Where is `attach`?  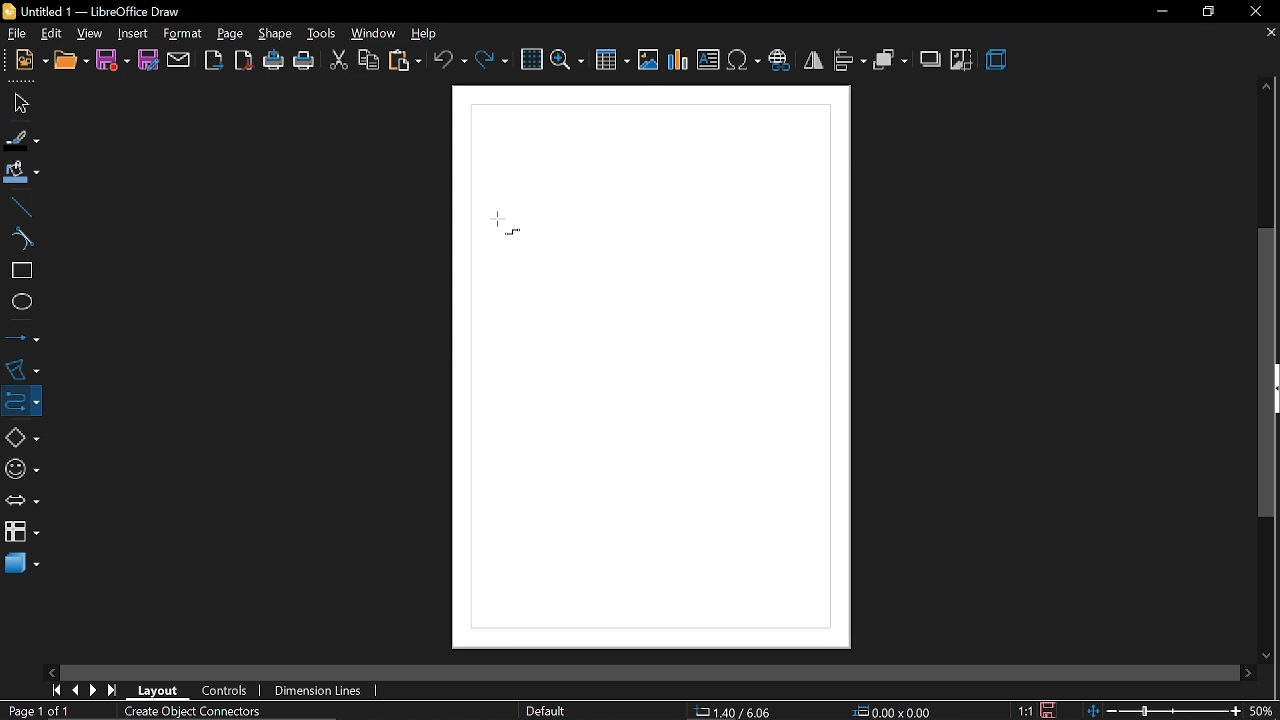
attach is located at coordinates (178, 60).